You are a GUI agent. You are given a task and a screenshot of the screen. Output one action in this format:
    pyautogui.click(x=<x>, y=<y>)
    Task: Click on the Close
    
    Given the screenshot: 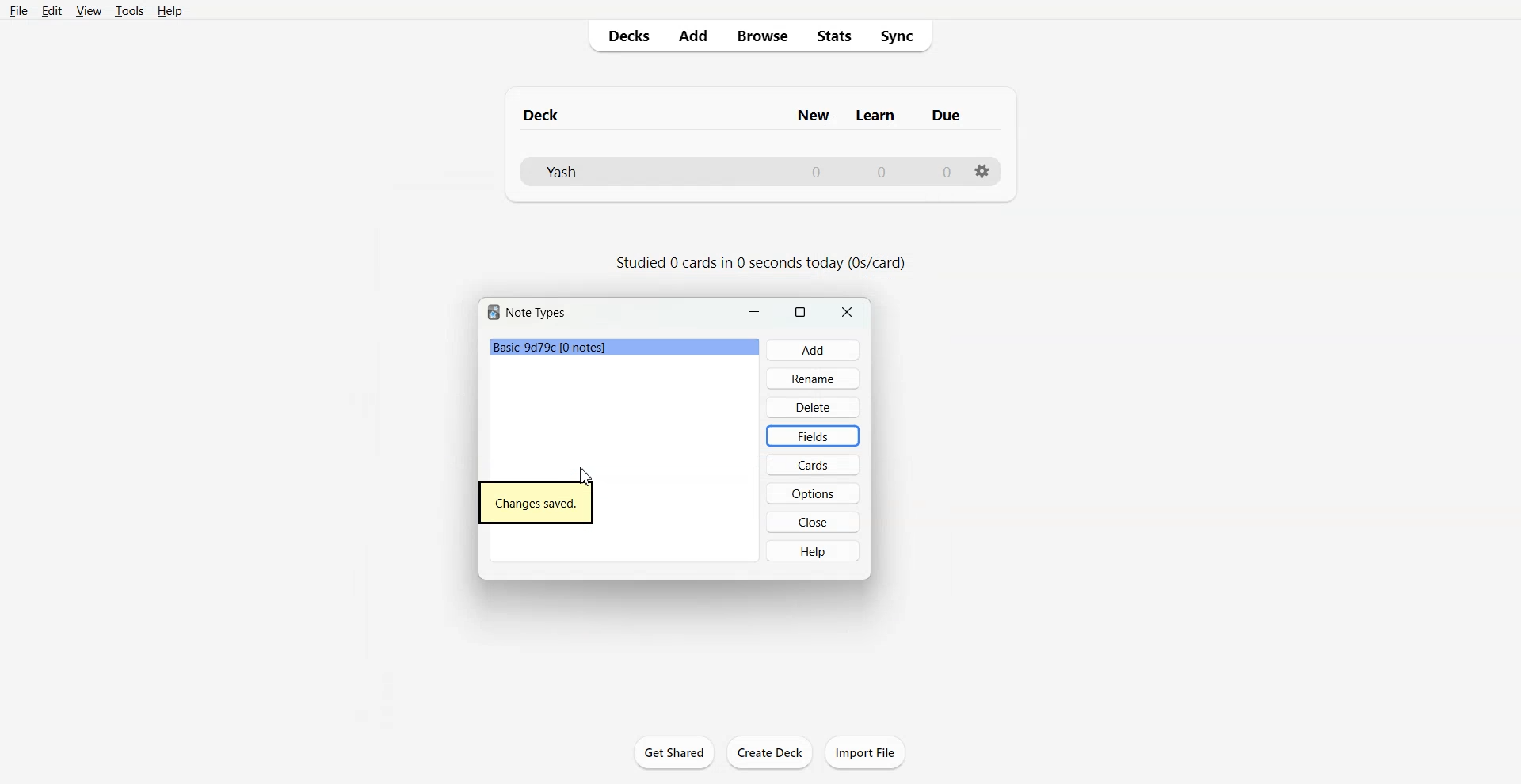 What is the action you would take?
    pyautogui.click(x=848, y=312)
    